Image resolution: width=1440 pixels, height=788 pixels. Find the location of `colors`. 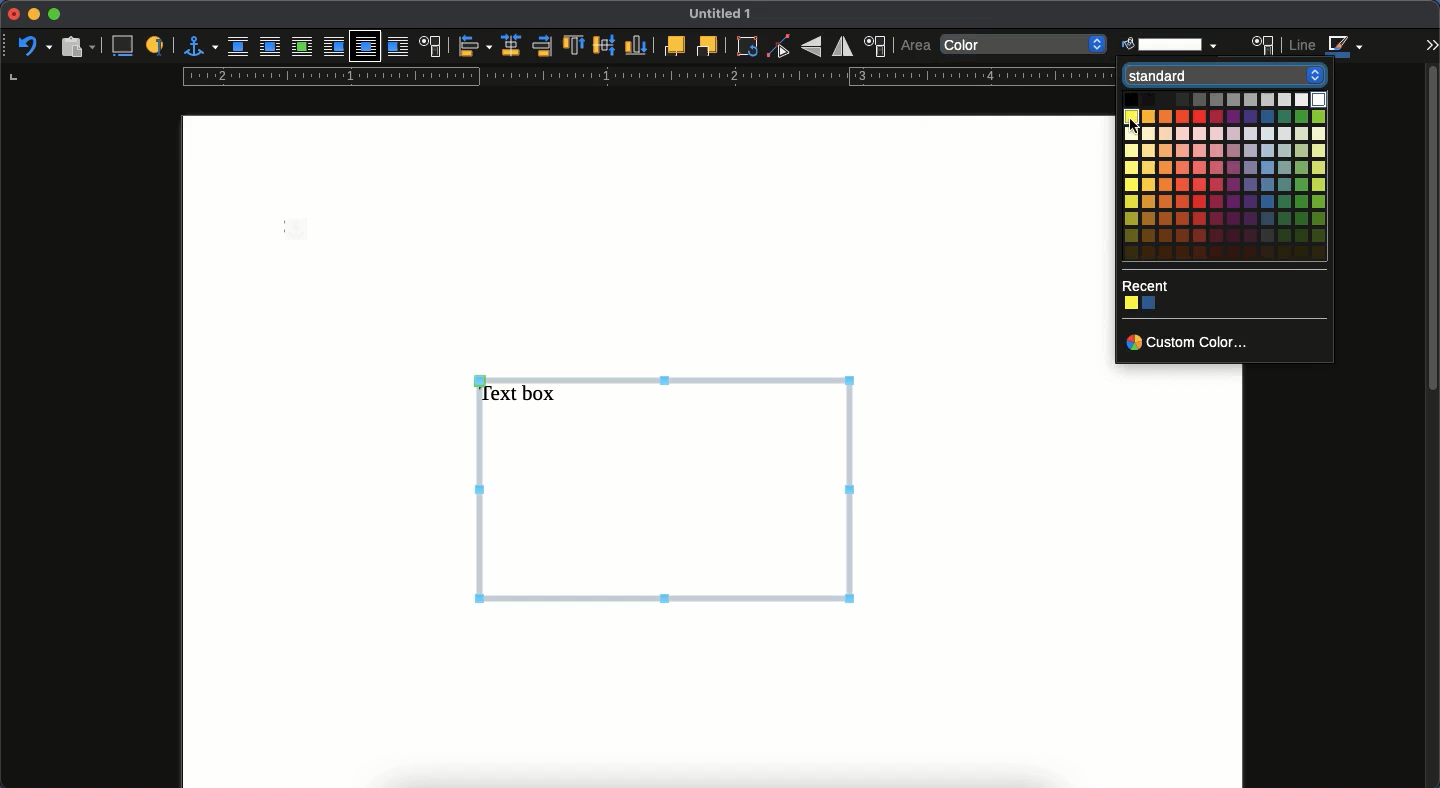

colors is located at coordinates (1242, 177).